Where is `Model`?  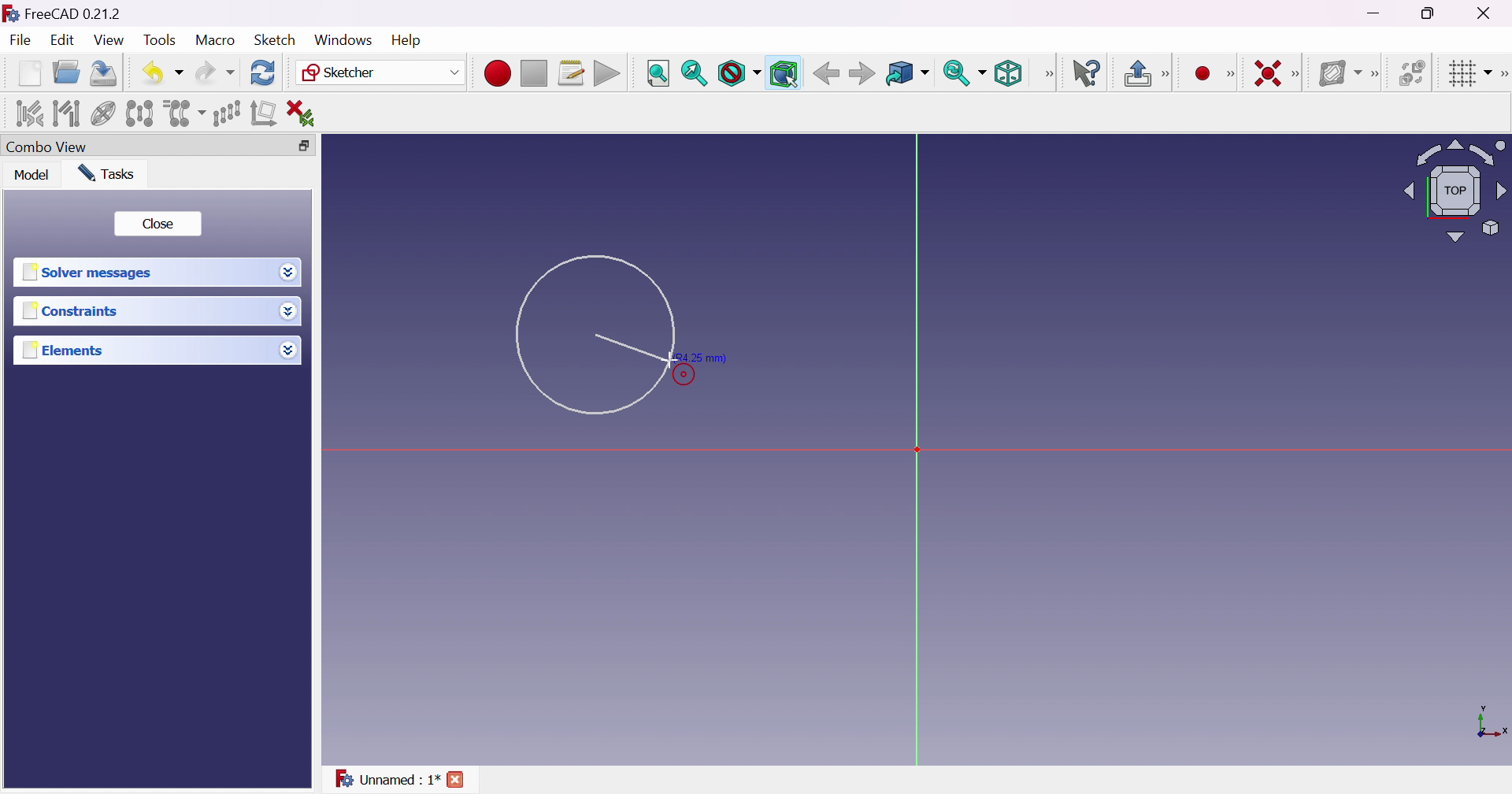 Model is located at coordinates (33, 176).